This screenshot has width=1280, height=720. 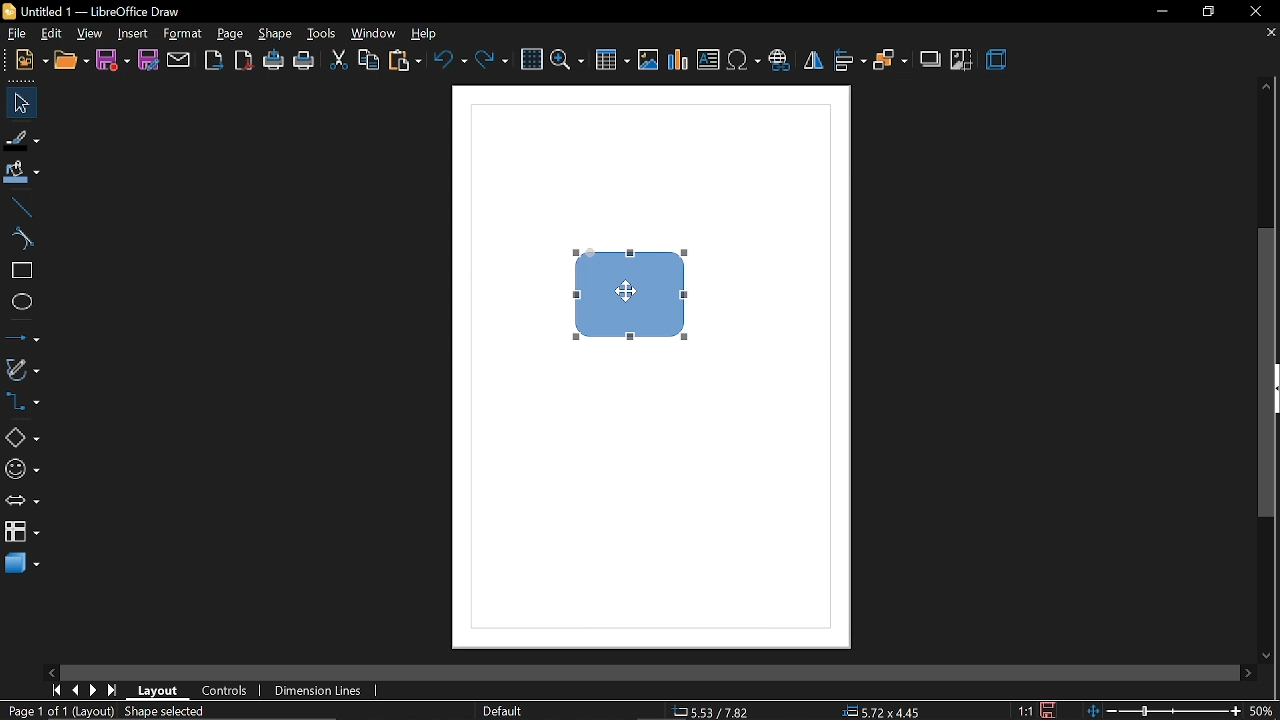 I want to click on close tab, so click(x=1269, y=34).